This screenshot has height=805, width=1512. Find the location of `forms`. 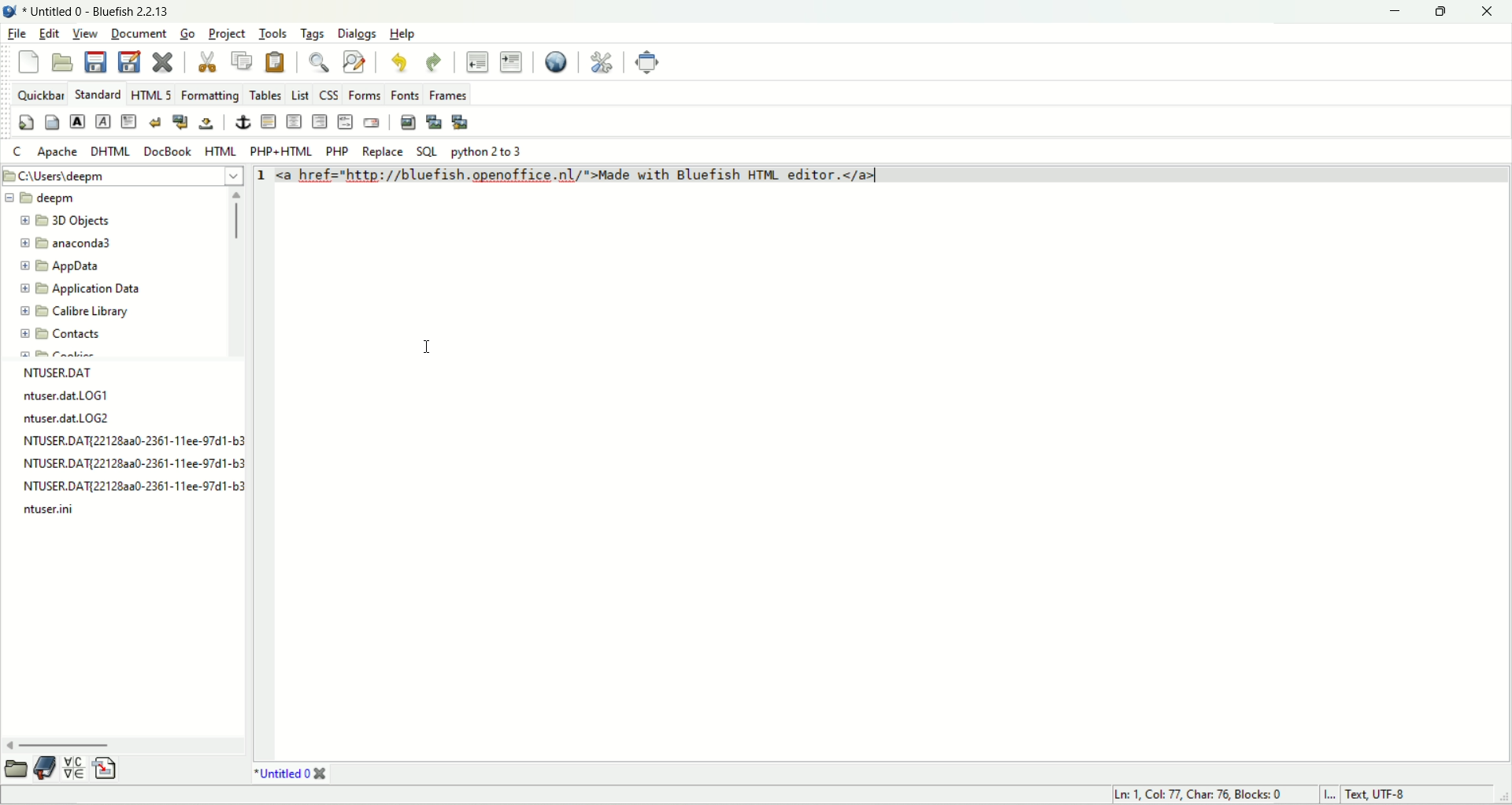

forms is located at coordinates (366, 95).